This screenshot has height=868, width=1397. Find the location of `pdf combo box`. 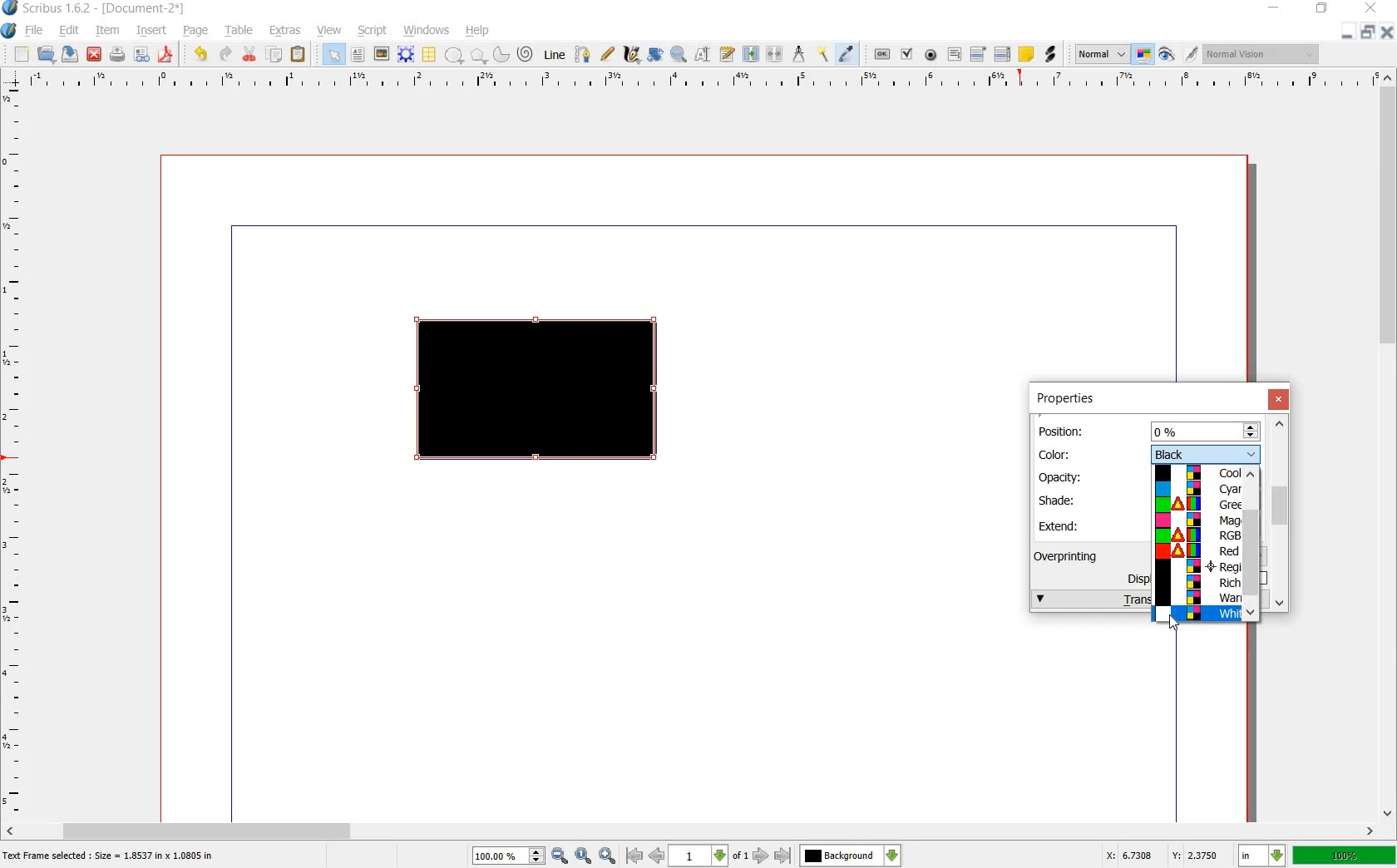

pdf combo box is located at coordinates (979, 53).